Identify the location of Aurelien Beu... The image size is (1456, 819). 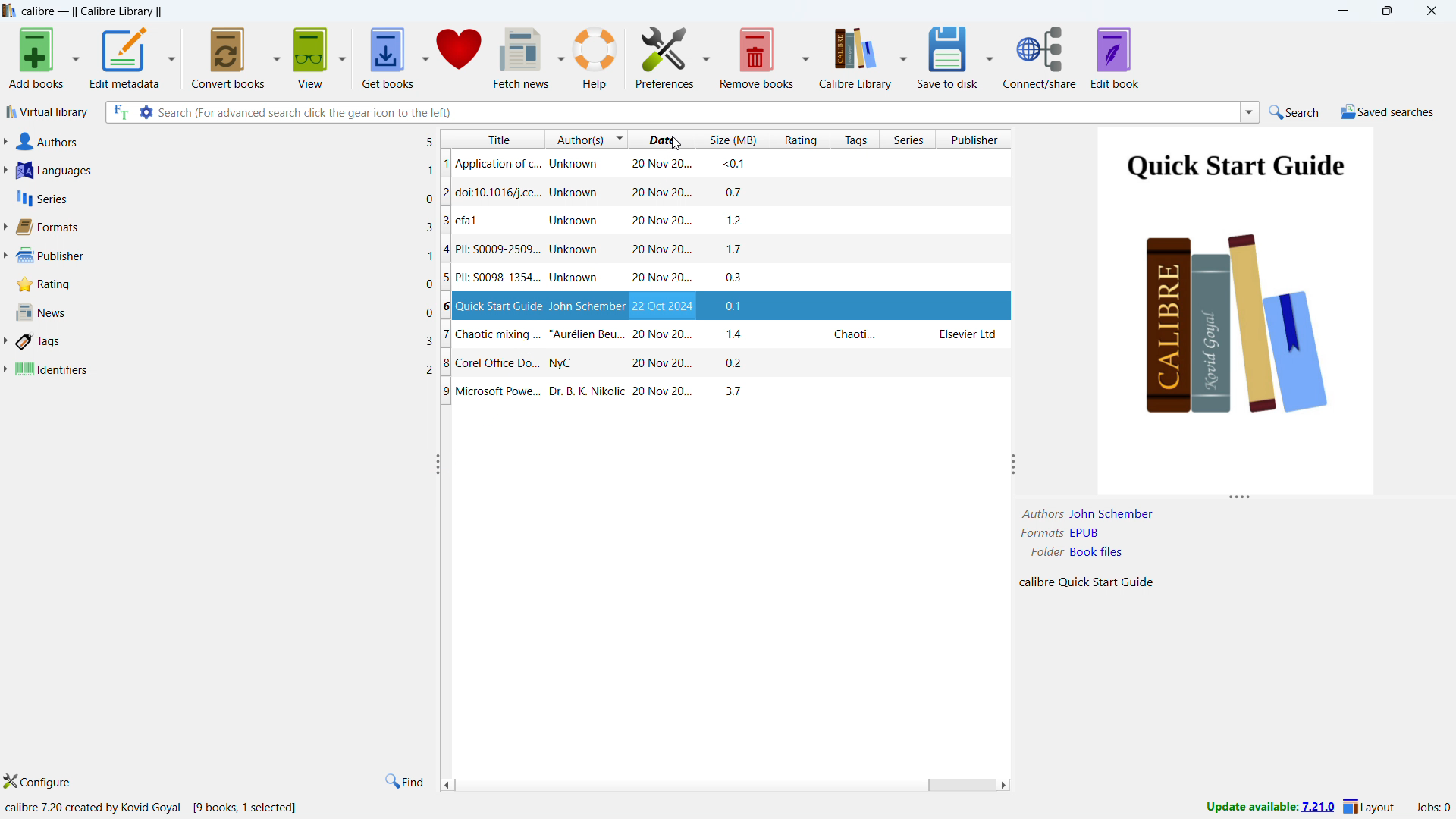
(588, 336).